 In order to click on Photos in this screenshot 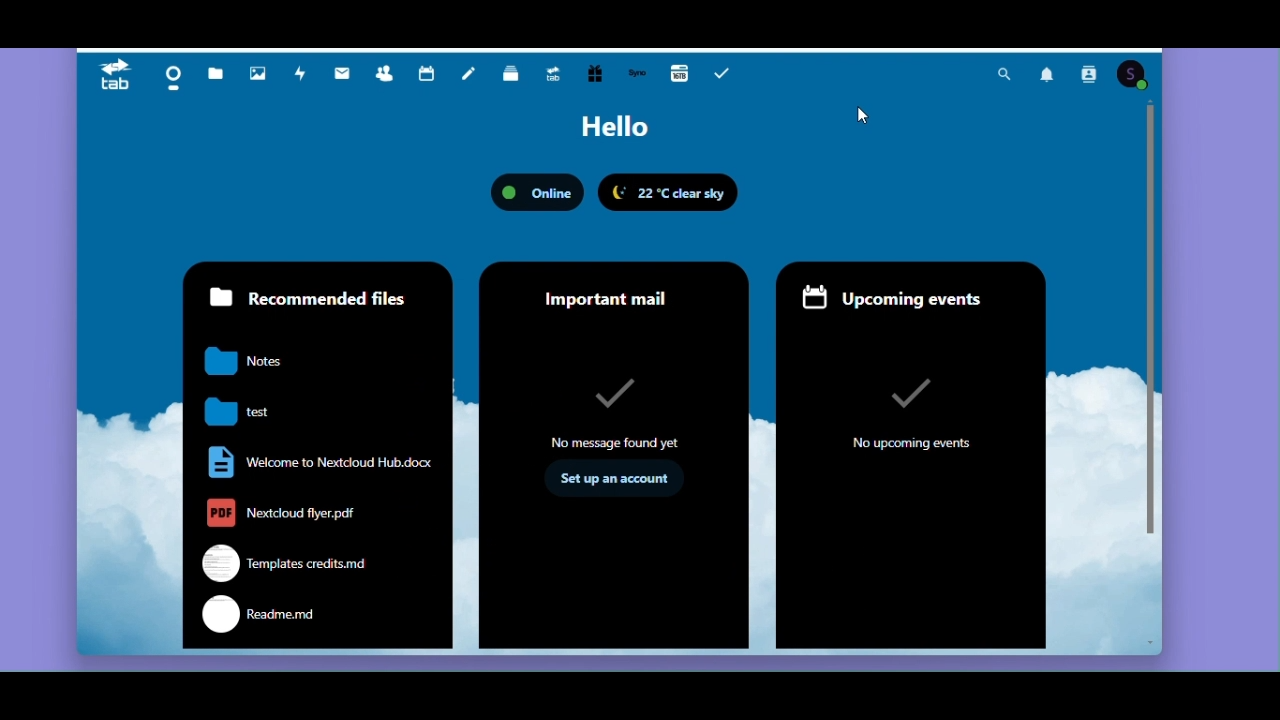, I will do `click(255, 70)`.